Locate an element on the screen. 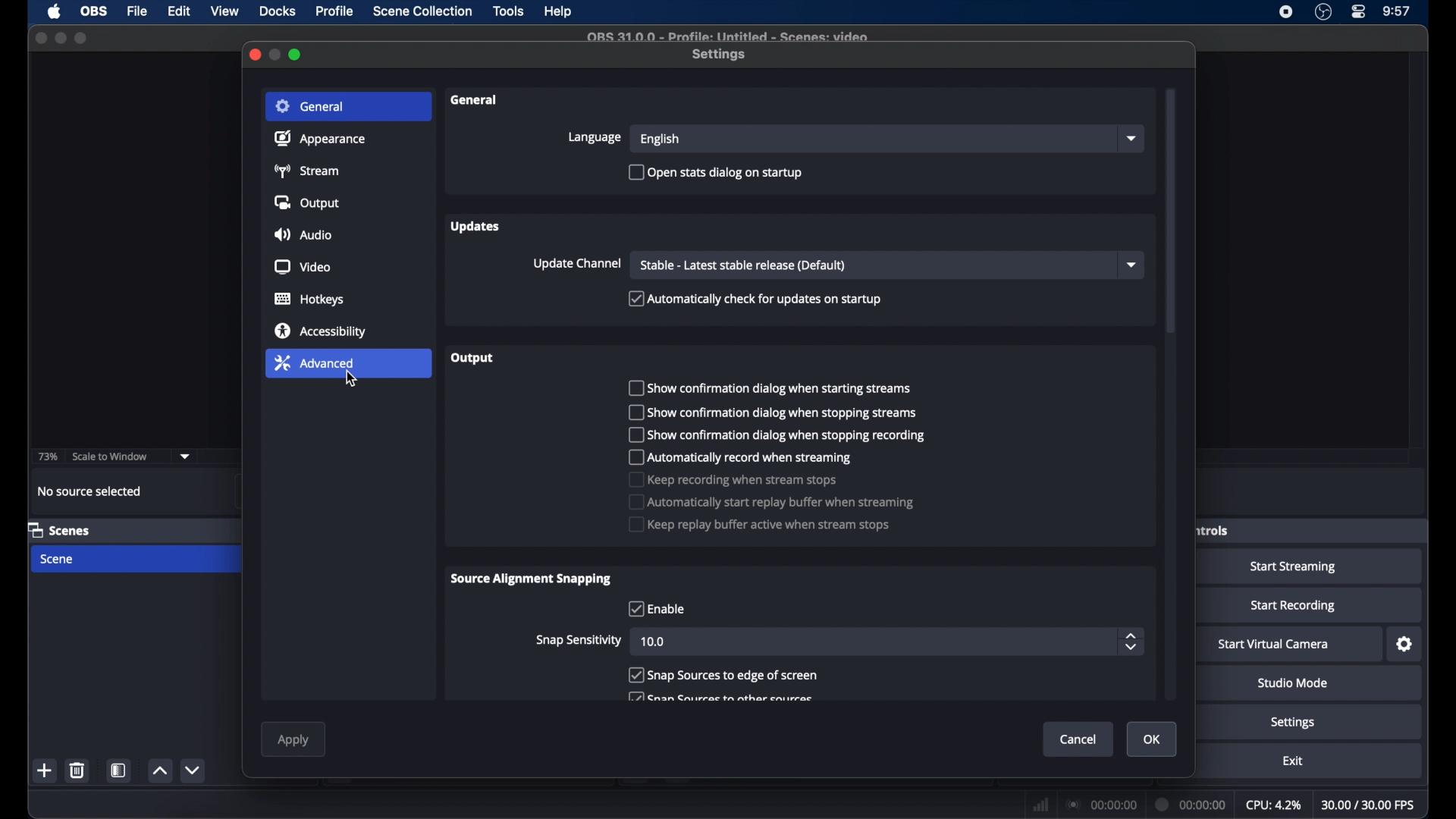  scale to window is located at coordinates (109, 457).